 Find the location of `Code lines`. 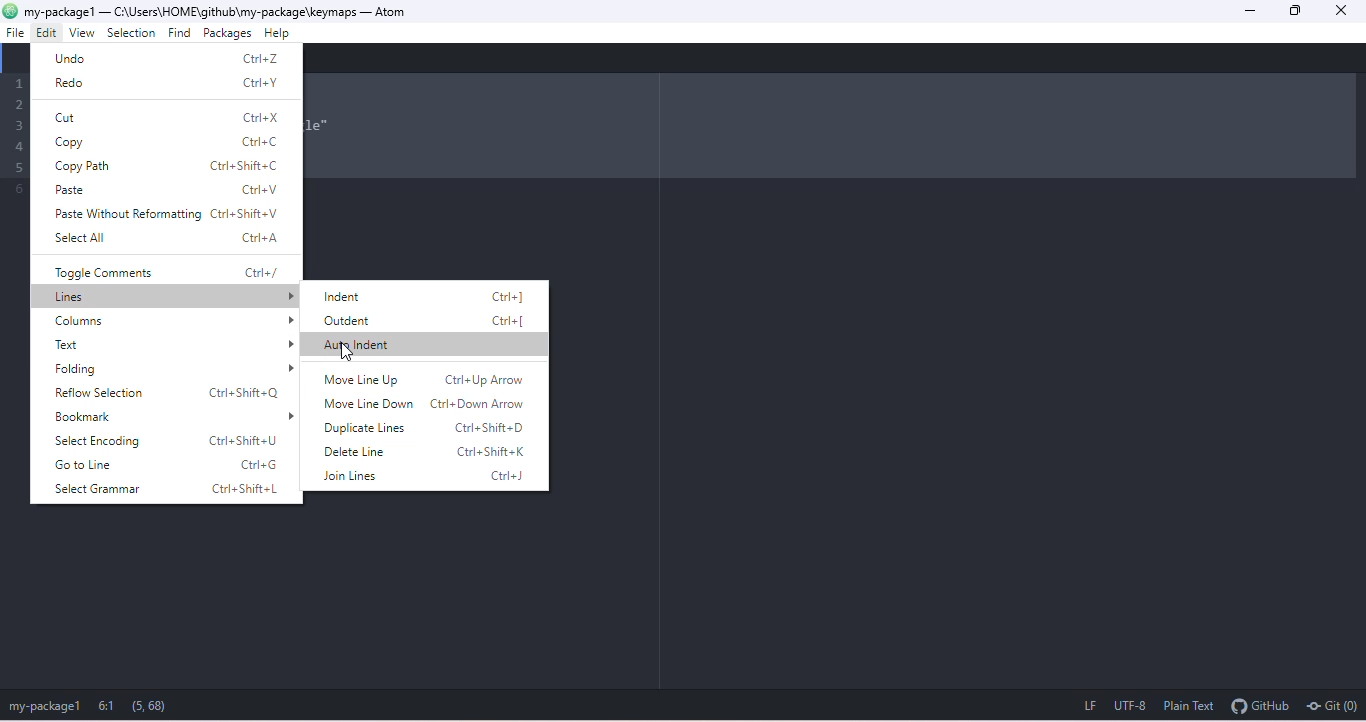

Code lines is located at coordinates (13, 140).